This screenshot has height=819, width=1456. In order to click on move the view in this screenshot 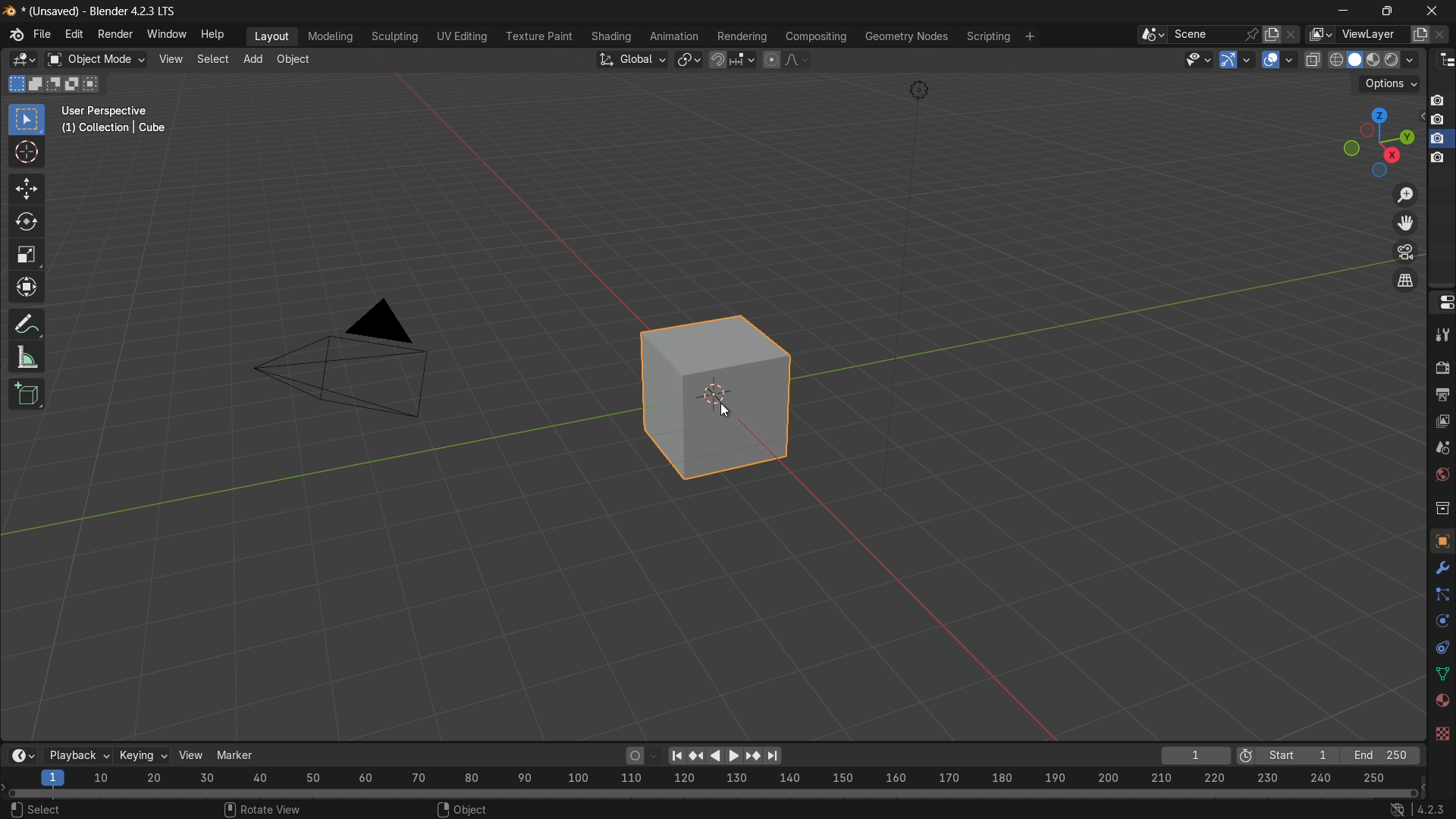, I will do `click(1408, 224)`.